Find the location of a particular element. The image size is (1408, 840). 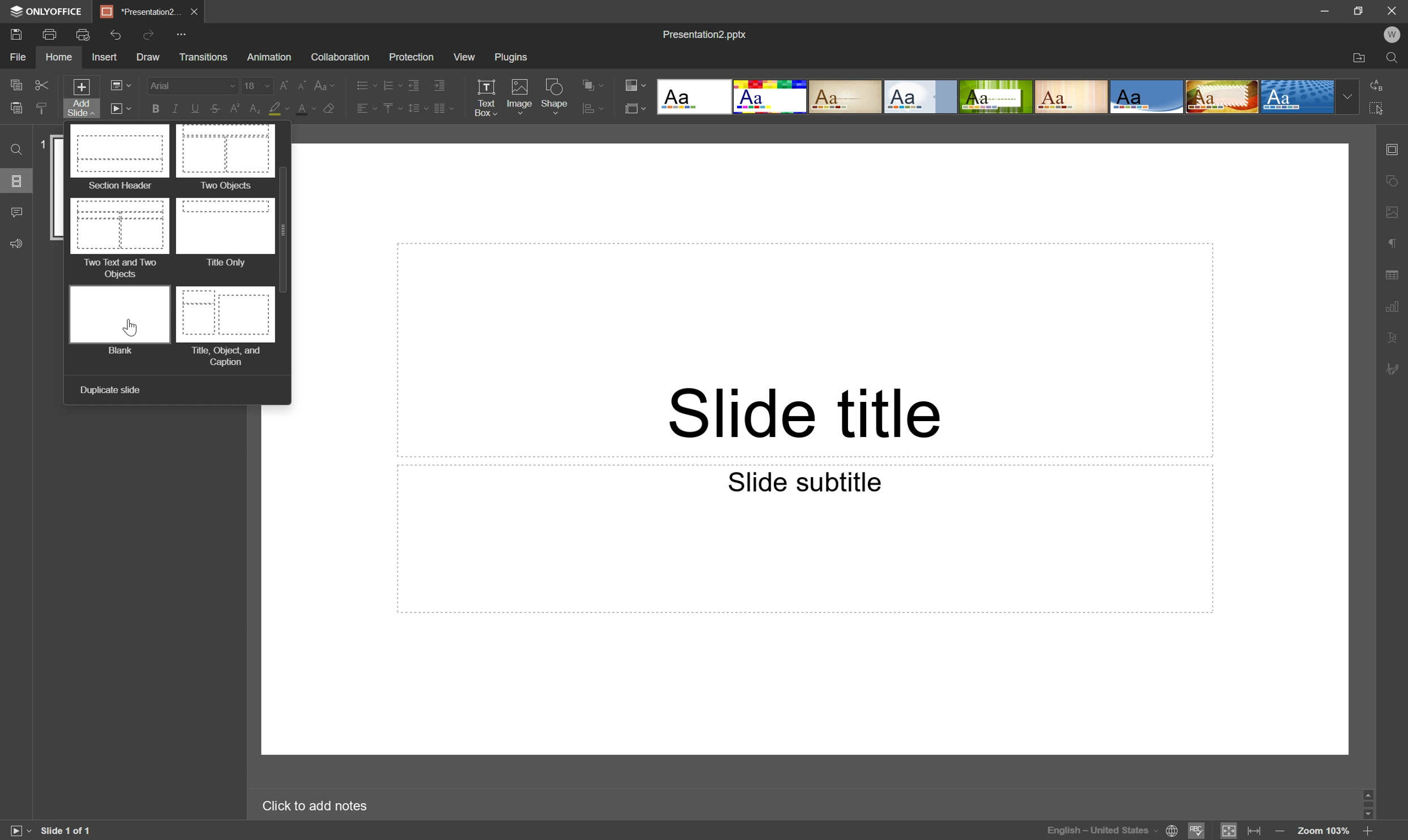

ONLYOFFICE is located at coordinates (49, 11).